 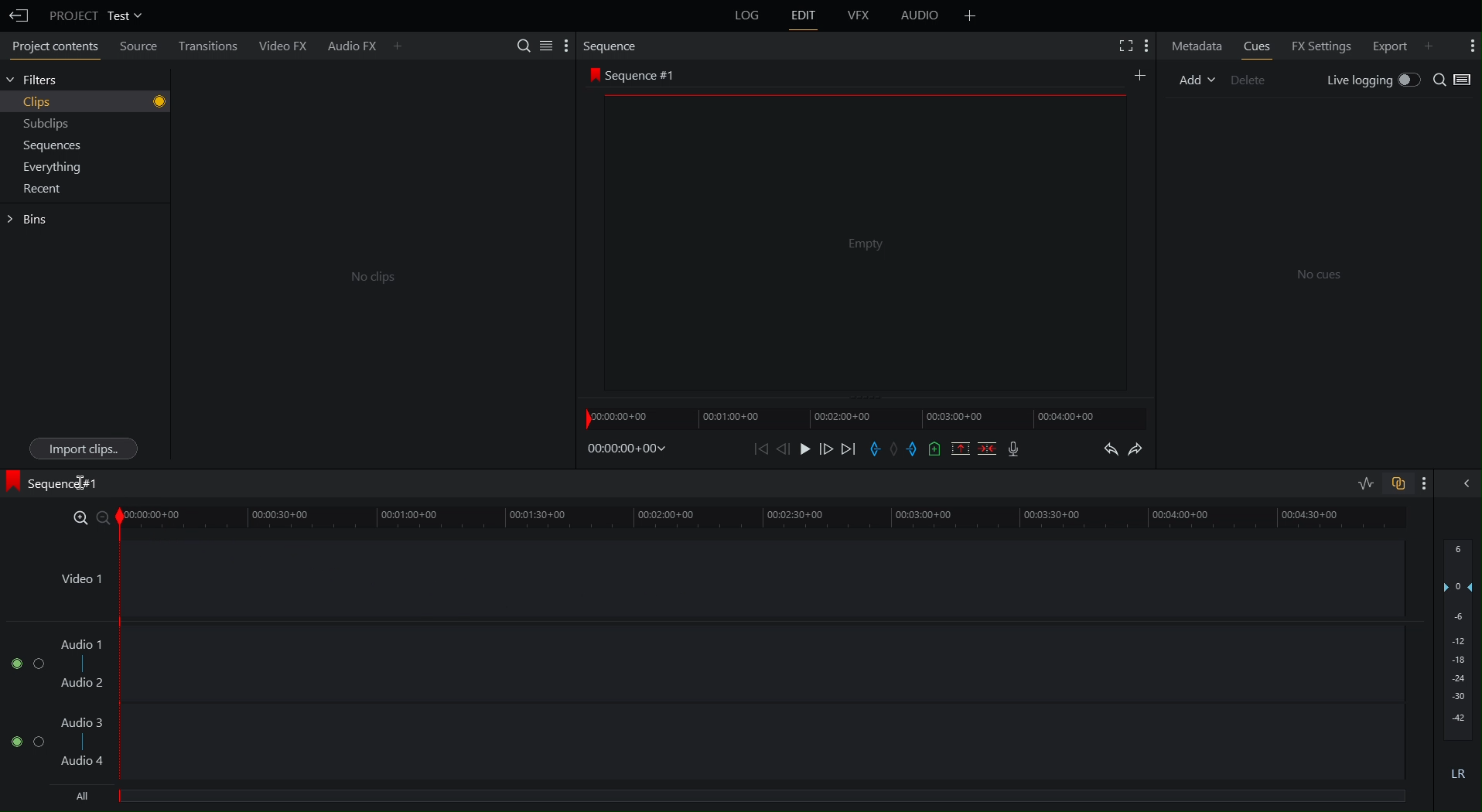 What do you see at coordinates (542, 46) in the screenshot?
I see `Search Settings` at bounding box center [542, 46].